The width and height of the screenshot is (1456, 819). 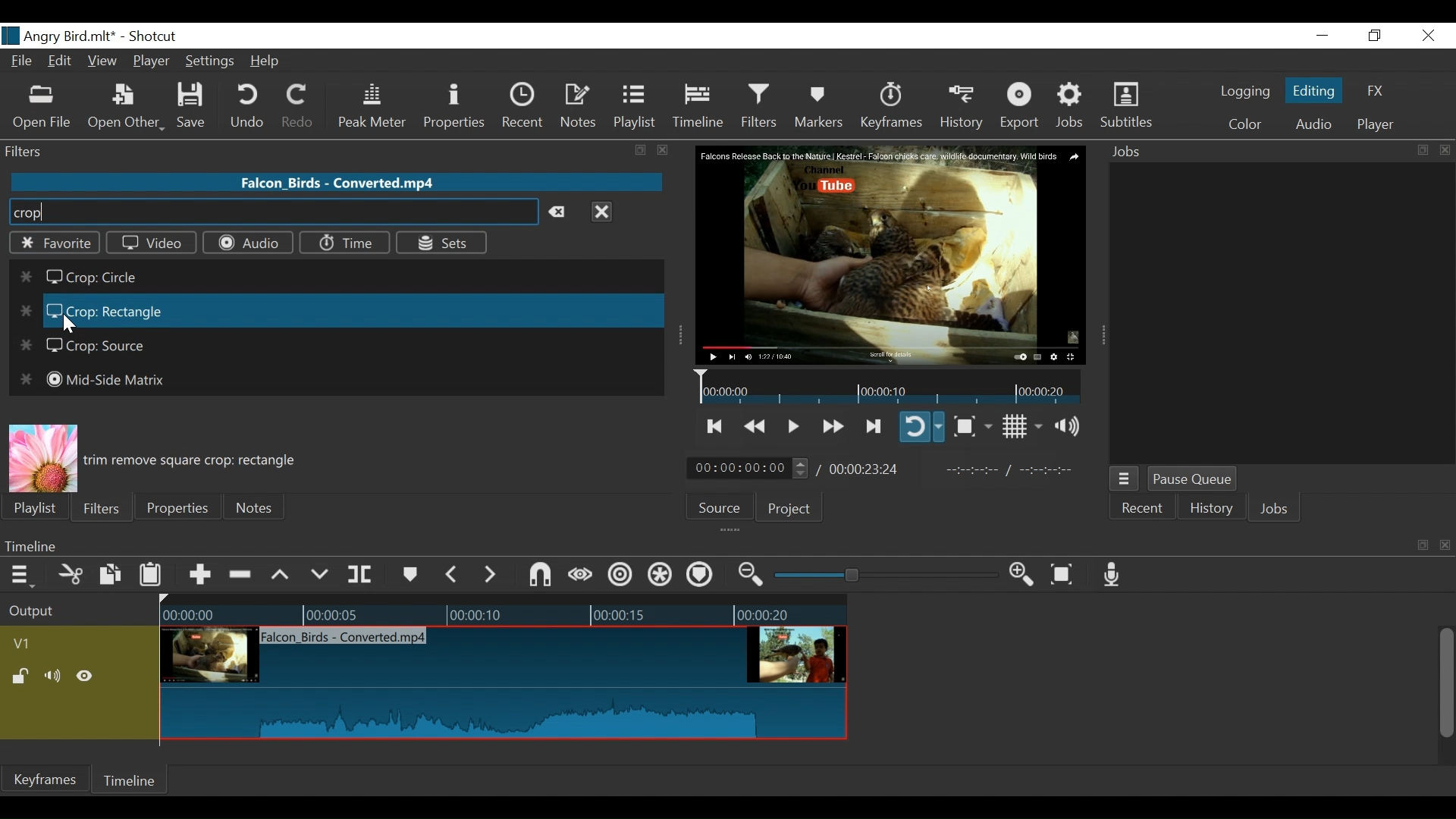 What do you see at coordinates (972, 426) in the screenshot?
I see `Toggle zoom` at bounding box center [972, 426].